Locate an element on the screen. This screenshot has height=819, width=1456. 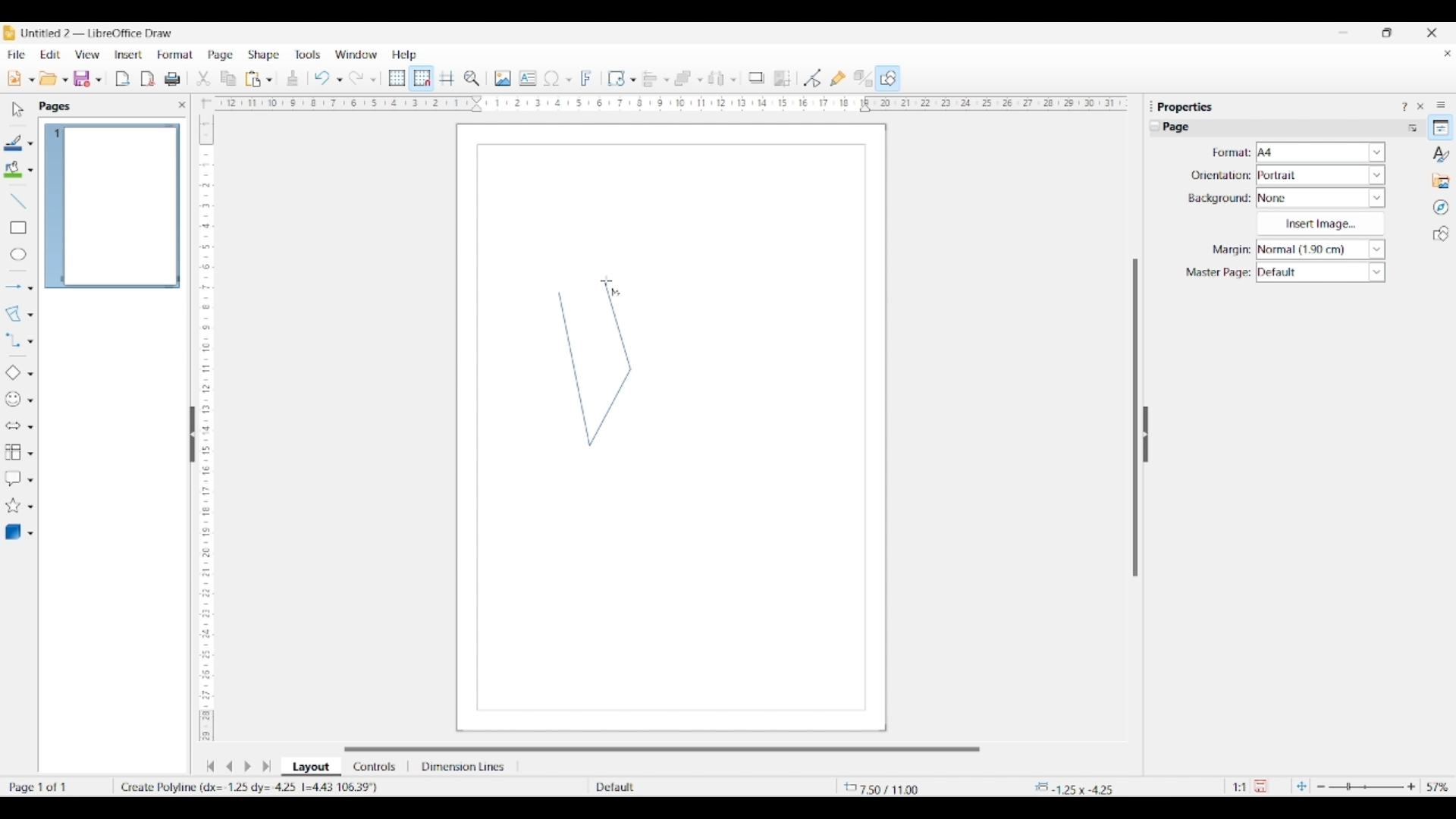
Selected star is located at coordinates (13, 506).